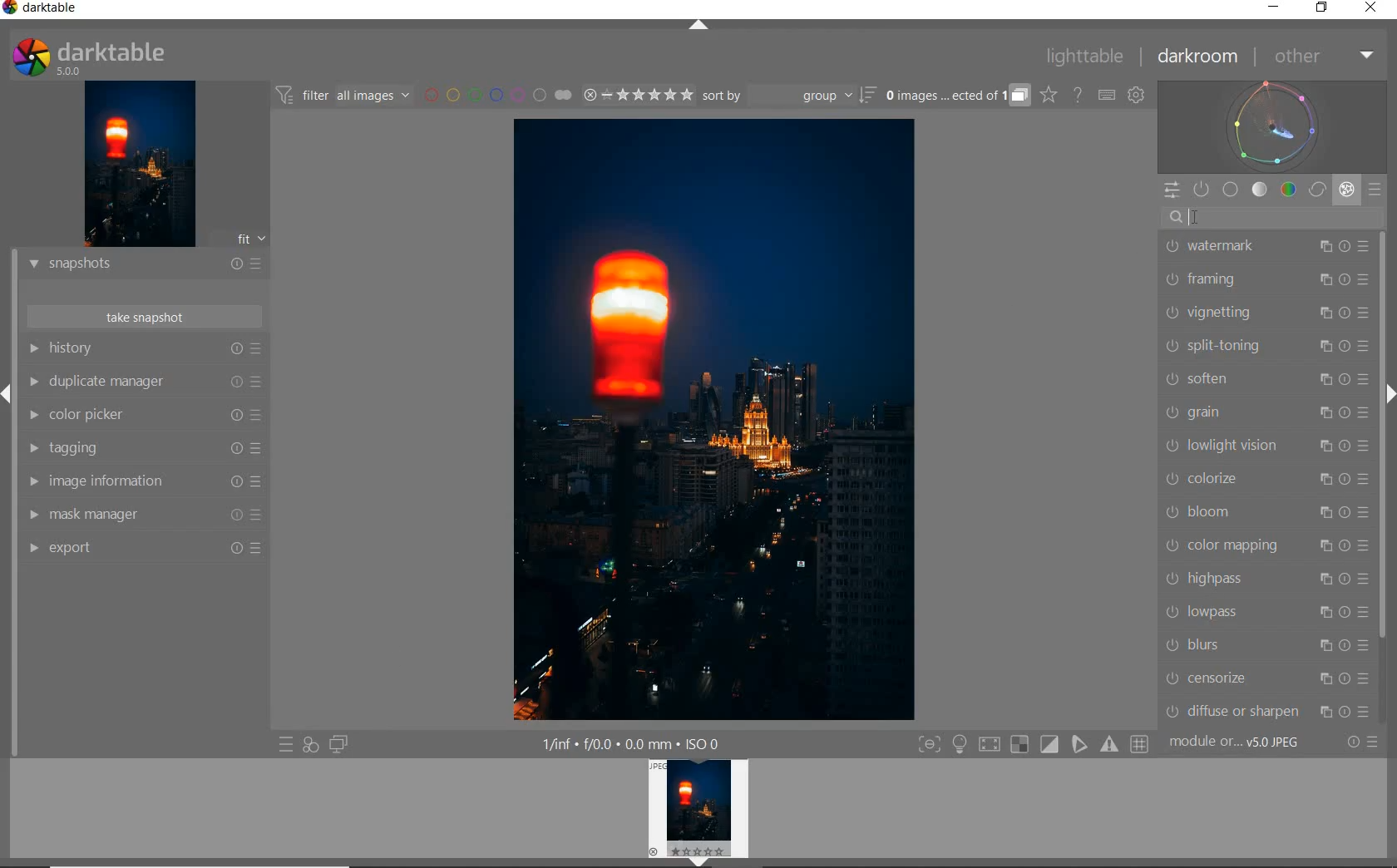 The width and height of the screenshot is (1397, 868). I want to click on HELP ONLINE, so click(1077, 94).